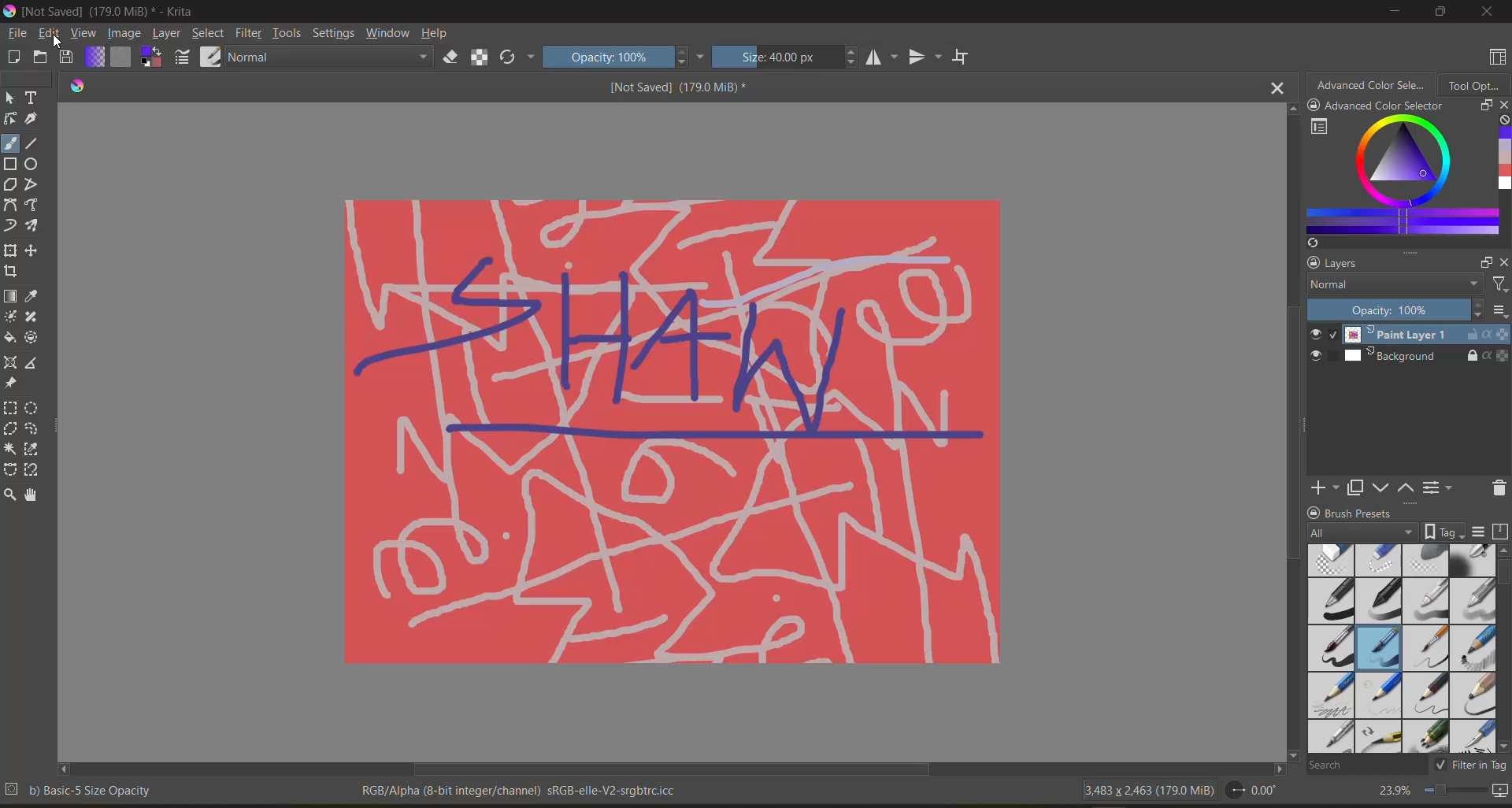  I want to click on mask up, so click(1407, 487).